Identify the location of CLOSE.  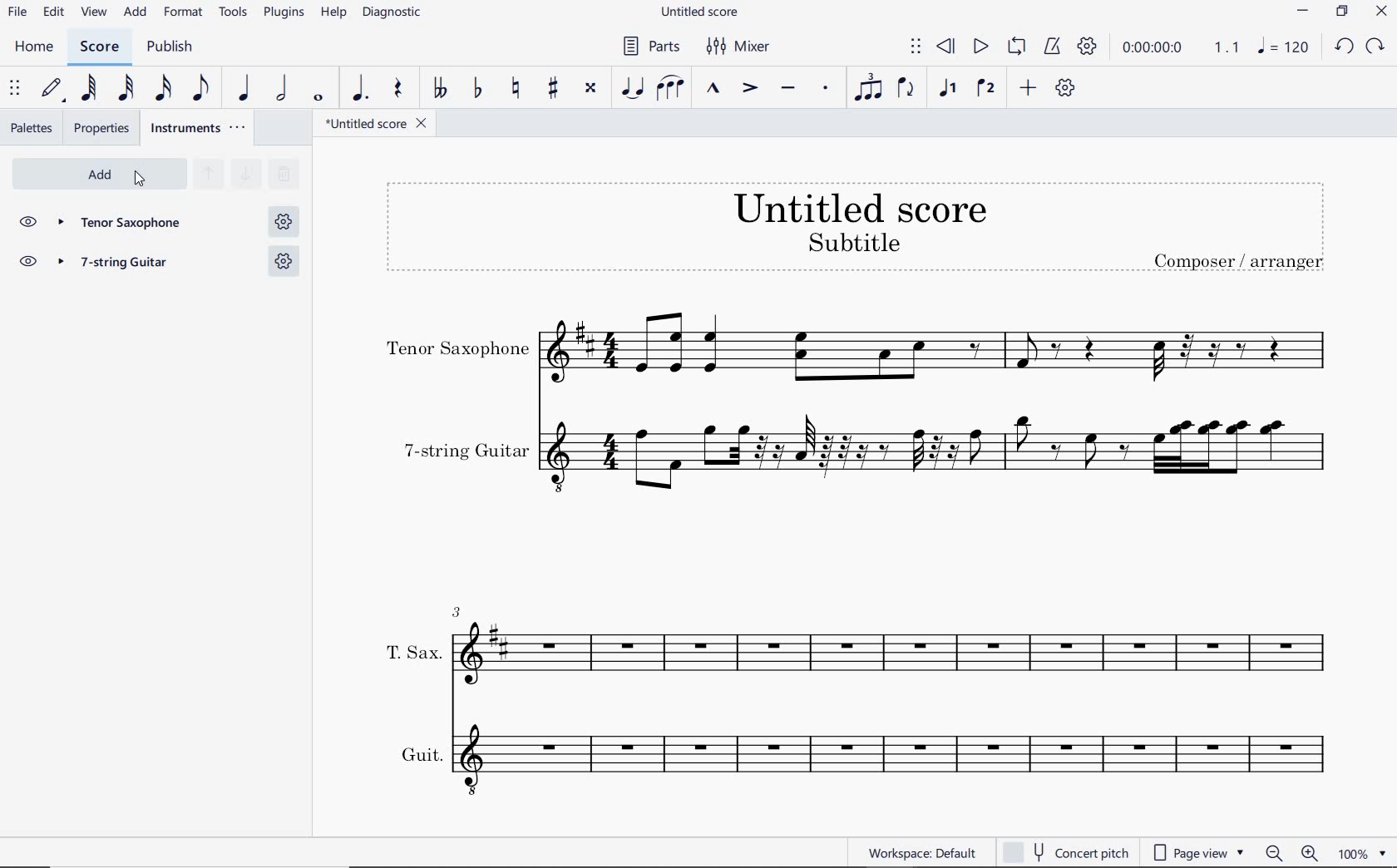
(1381, 12).